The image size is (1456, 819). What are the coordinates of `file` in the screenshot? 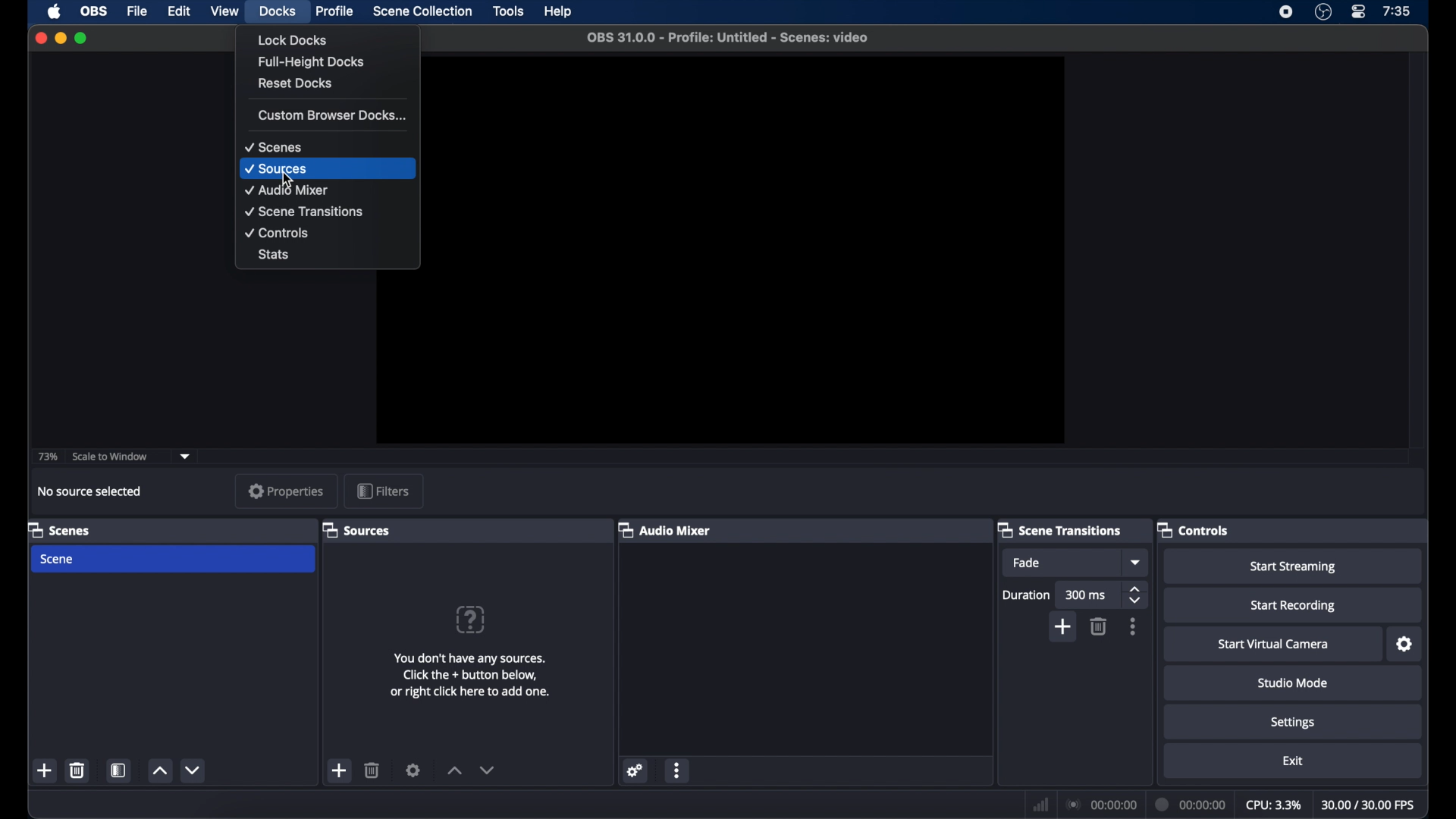 It's located at (138, 12).